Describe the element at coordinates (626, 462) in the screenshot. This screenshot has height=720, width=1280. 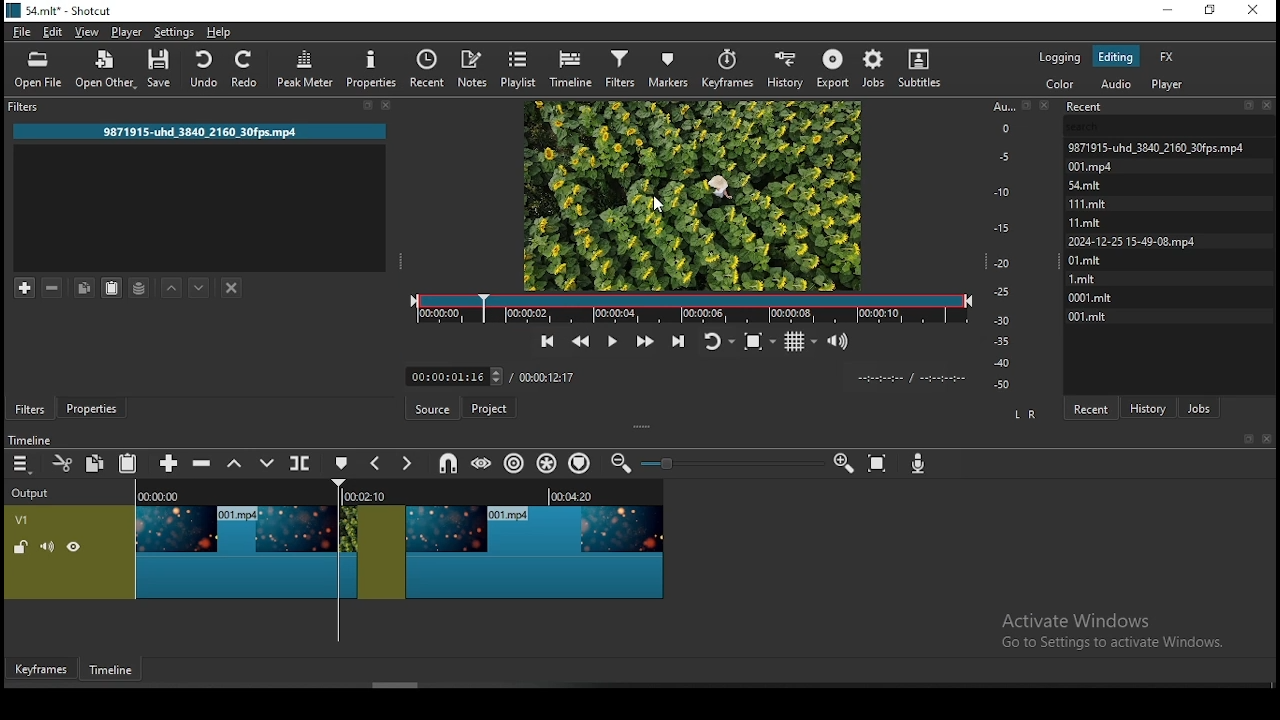
I see `zoom timeline in` at that location.